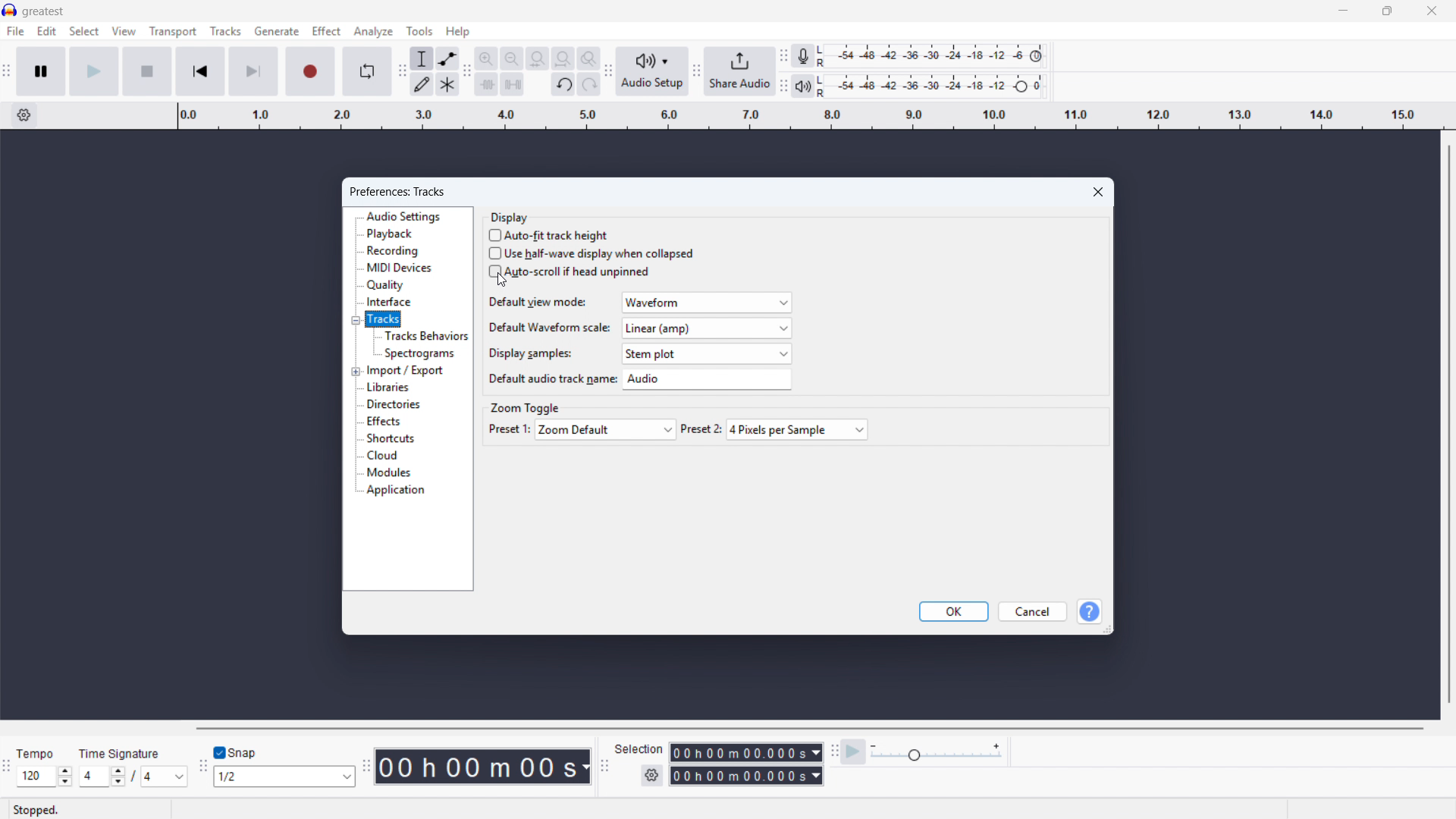 The image size is (1456, 819). I want to click on Transport toolbar , so click(7, 74).